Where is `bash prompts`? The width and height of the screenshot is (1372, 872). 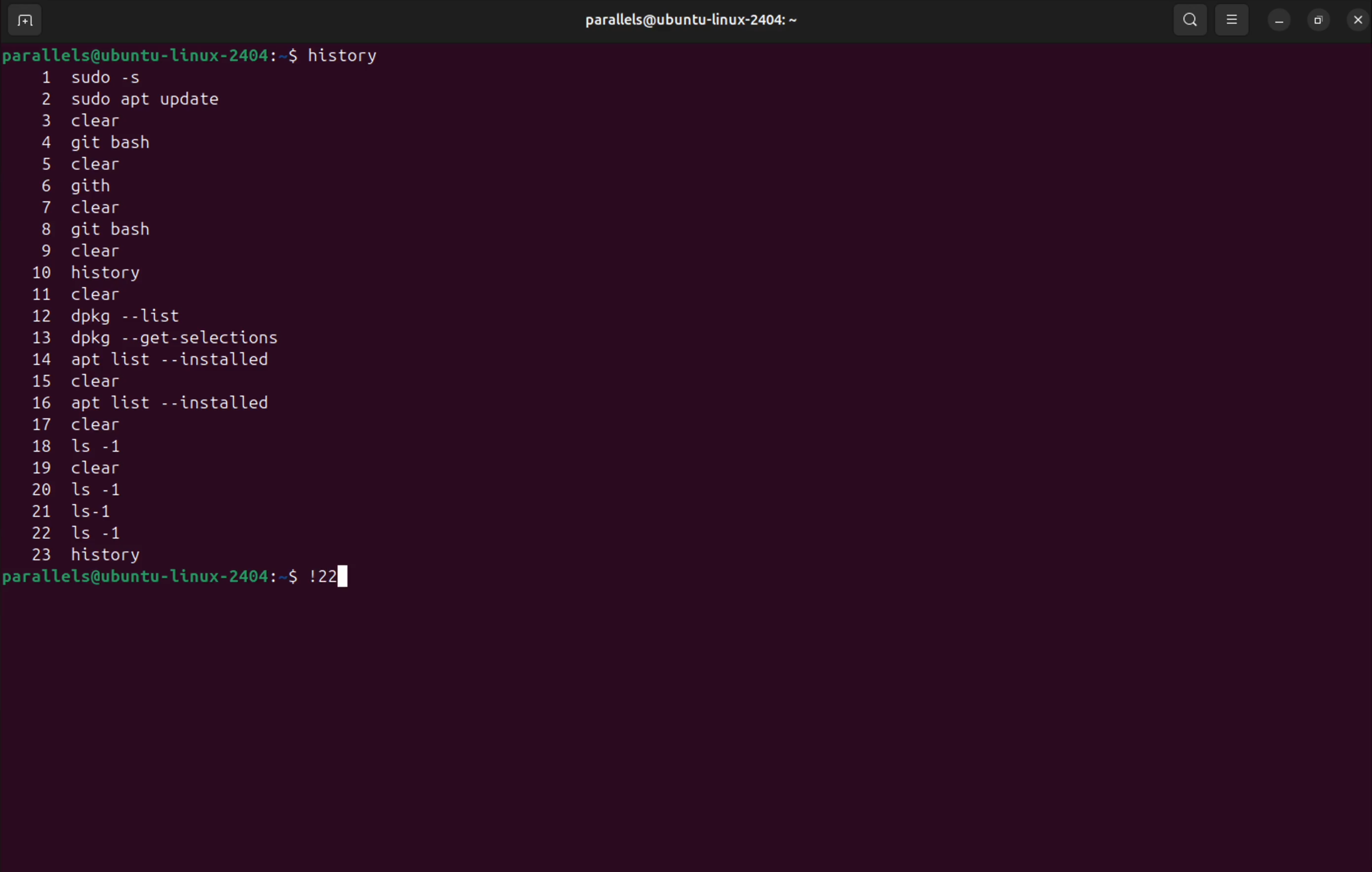
bash prompts is located at coordinates (149, 54).